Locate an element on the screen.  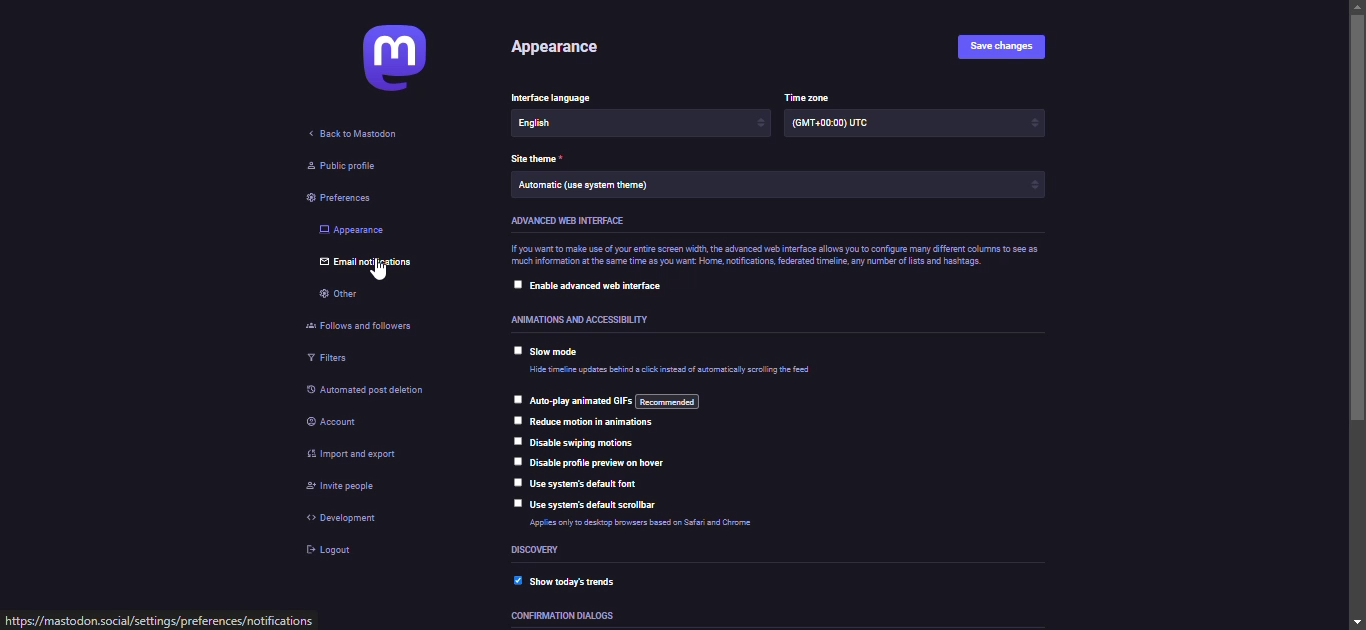
filters is located at coordinates (328, 360).